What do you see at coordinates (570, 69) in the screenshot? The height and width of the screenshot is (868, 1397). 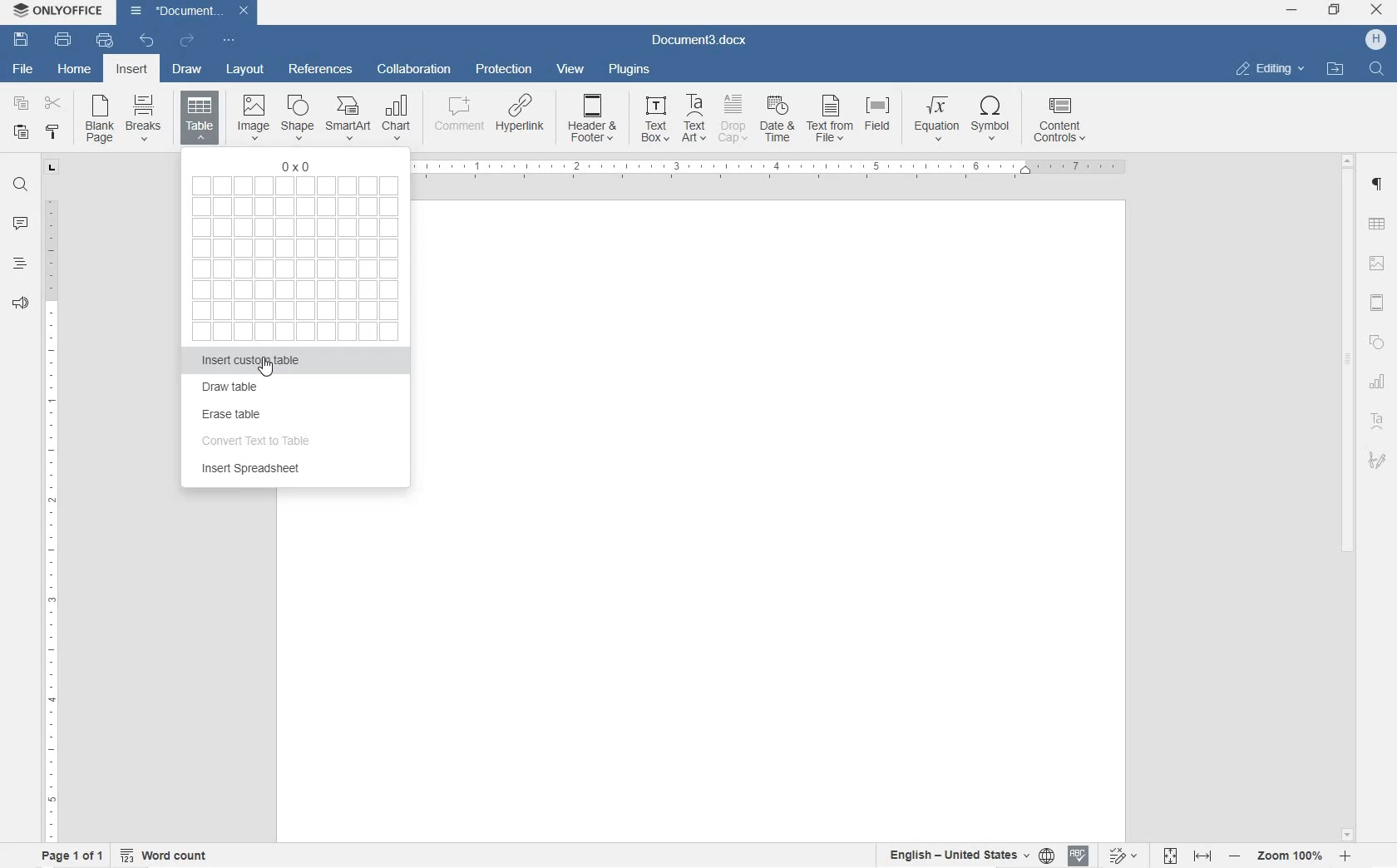 I see `VIEW` at bounding box center [570, 69].